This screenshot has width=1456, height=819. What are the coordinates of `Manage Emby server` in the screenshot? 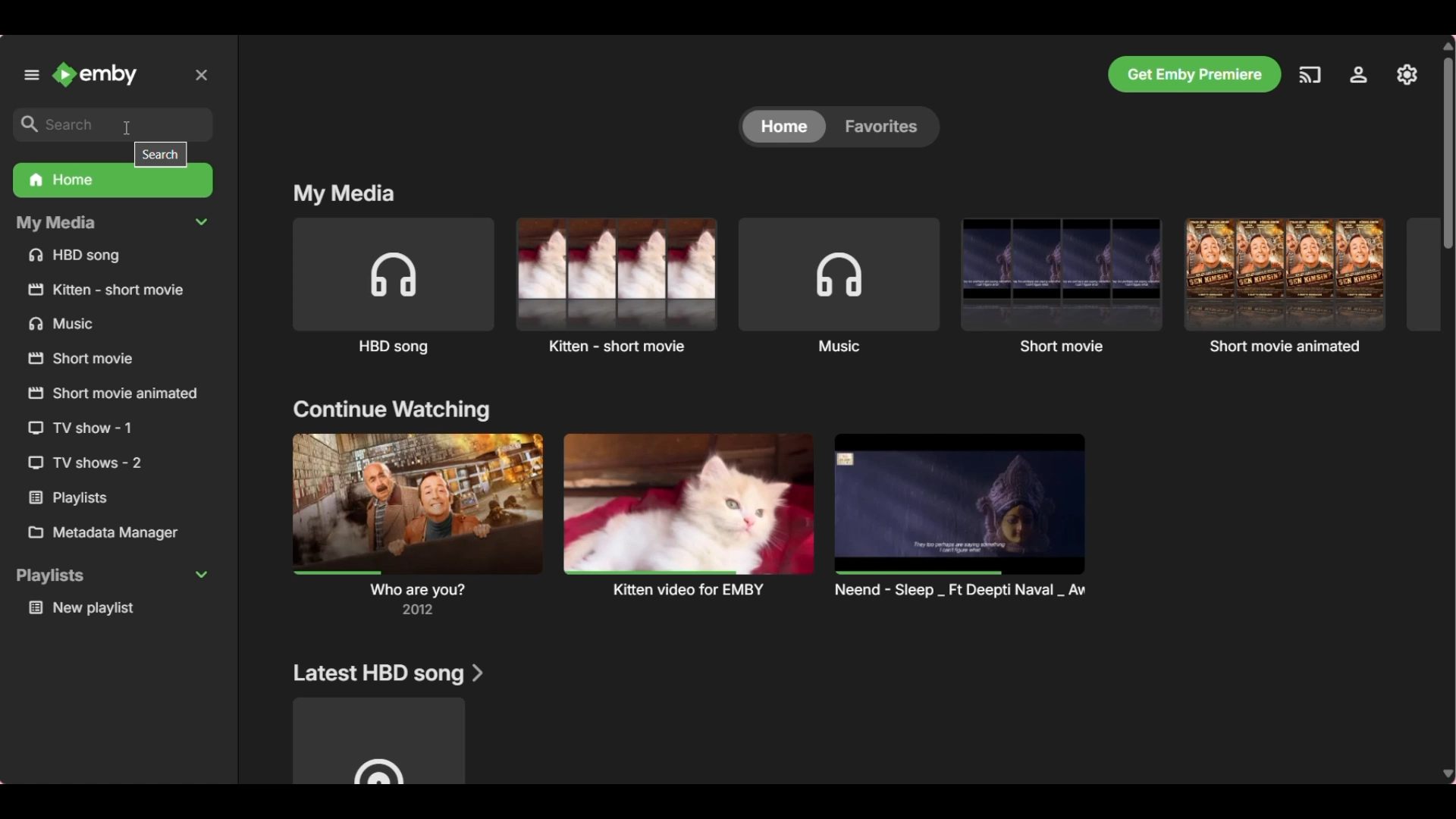 It's located at (1407, 74).